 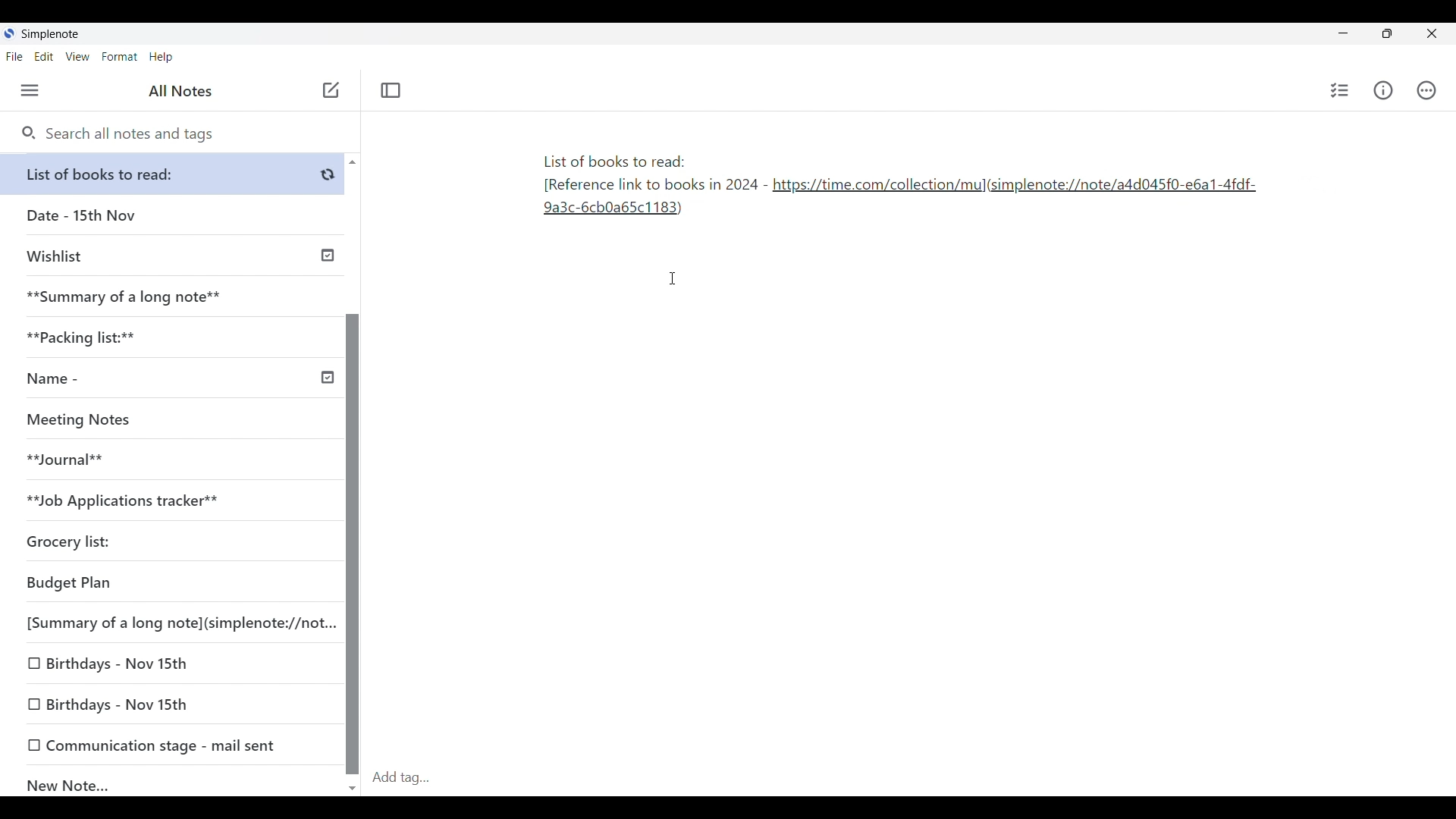 I want to click on Date - 15th Nov, so click(x=173, y=215).